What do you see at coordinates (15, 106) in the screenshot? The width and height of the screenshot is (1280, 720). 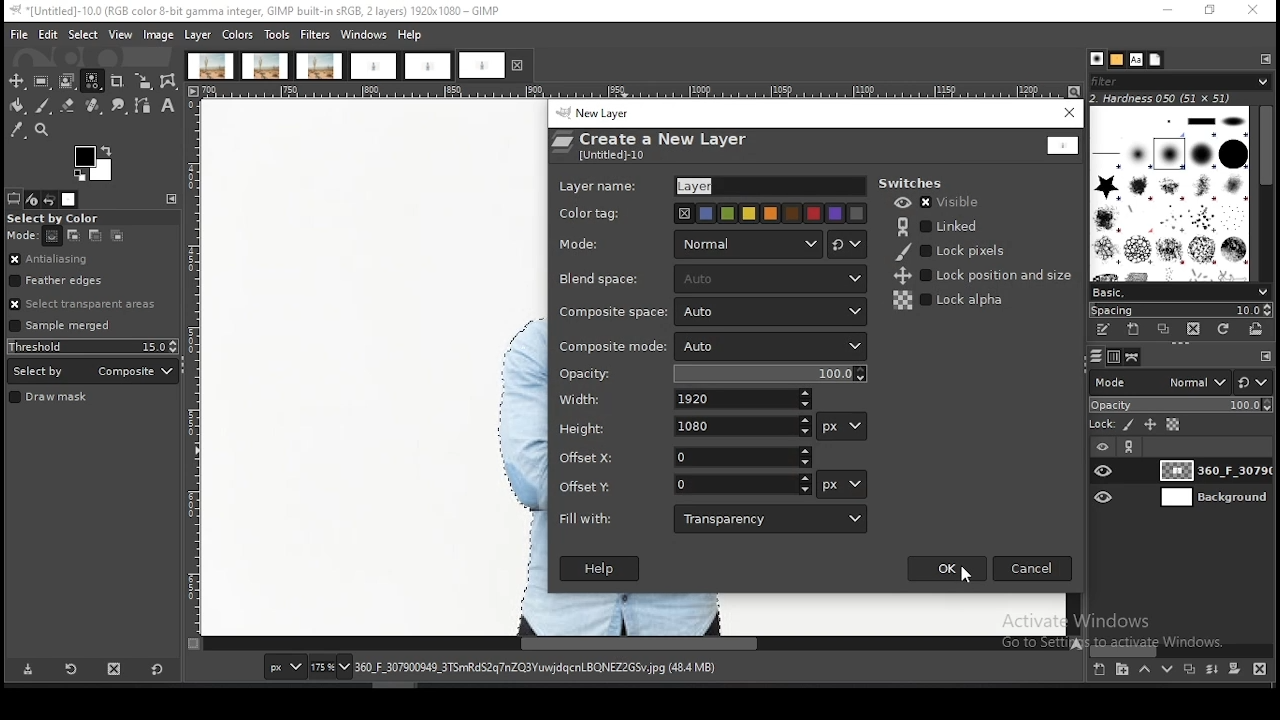 I see `paint bucket tool` at bounding box center [15, 106].